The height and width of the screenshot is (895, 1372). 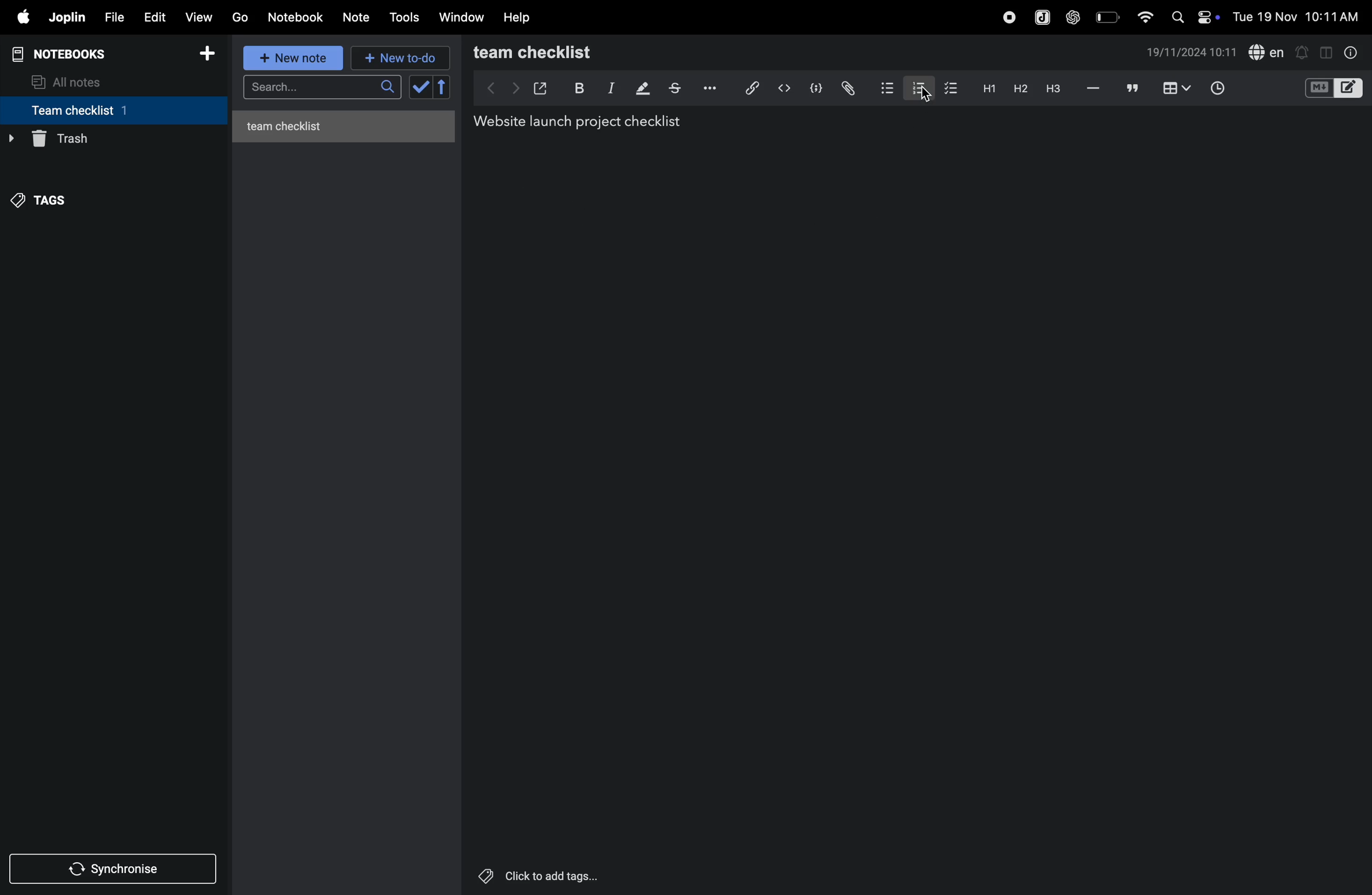 What do you see at coordinates (1141, 16) in the screenshot?
I see `wifi` at bounding box center [1141, 16].